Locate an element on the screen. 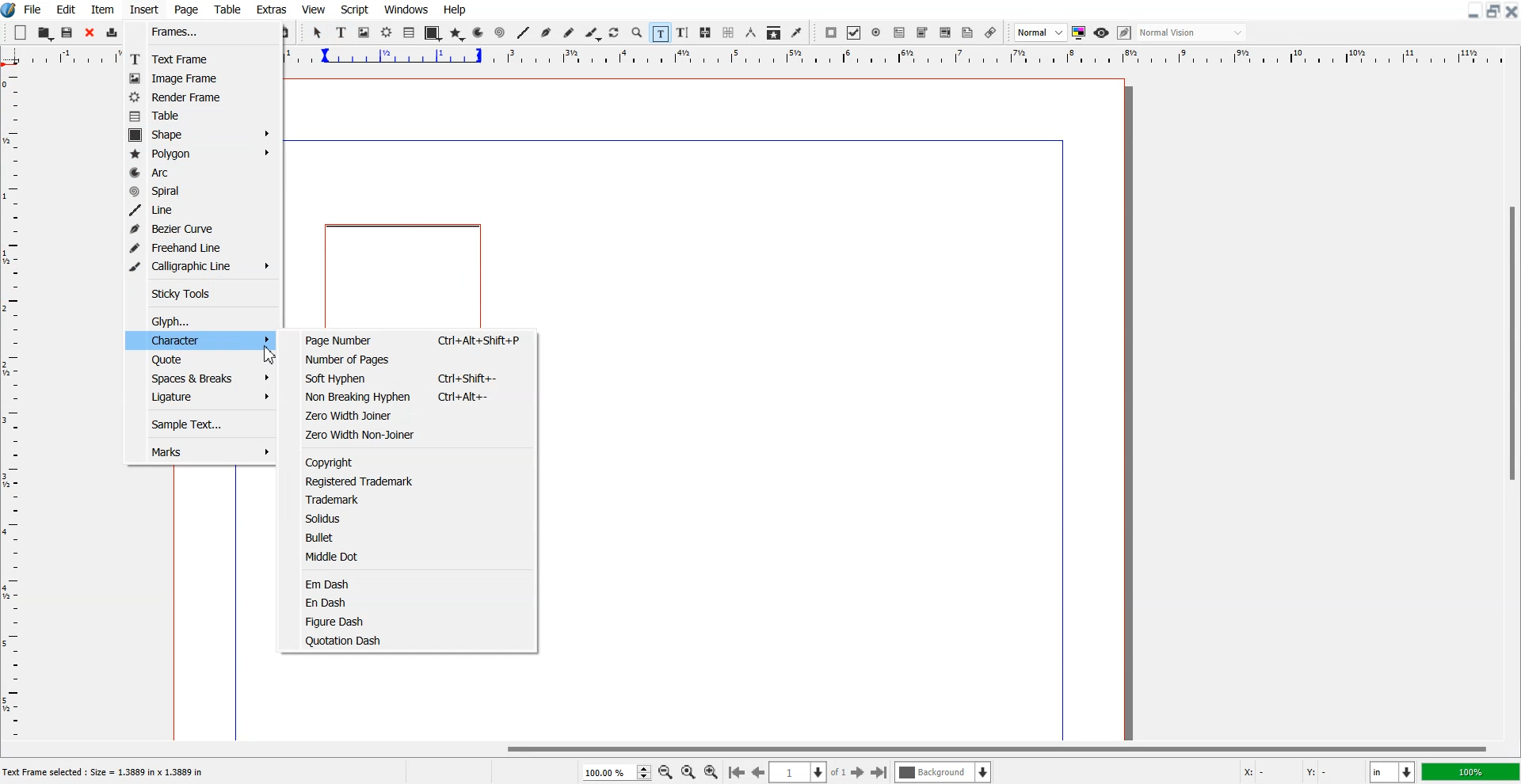 Image resolution: width=1521 pixels, height=784 pixels. Registered Trademark is located at coordinates (413, 481).